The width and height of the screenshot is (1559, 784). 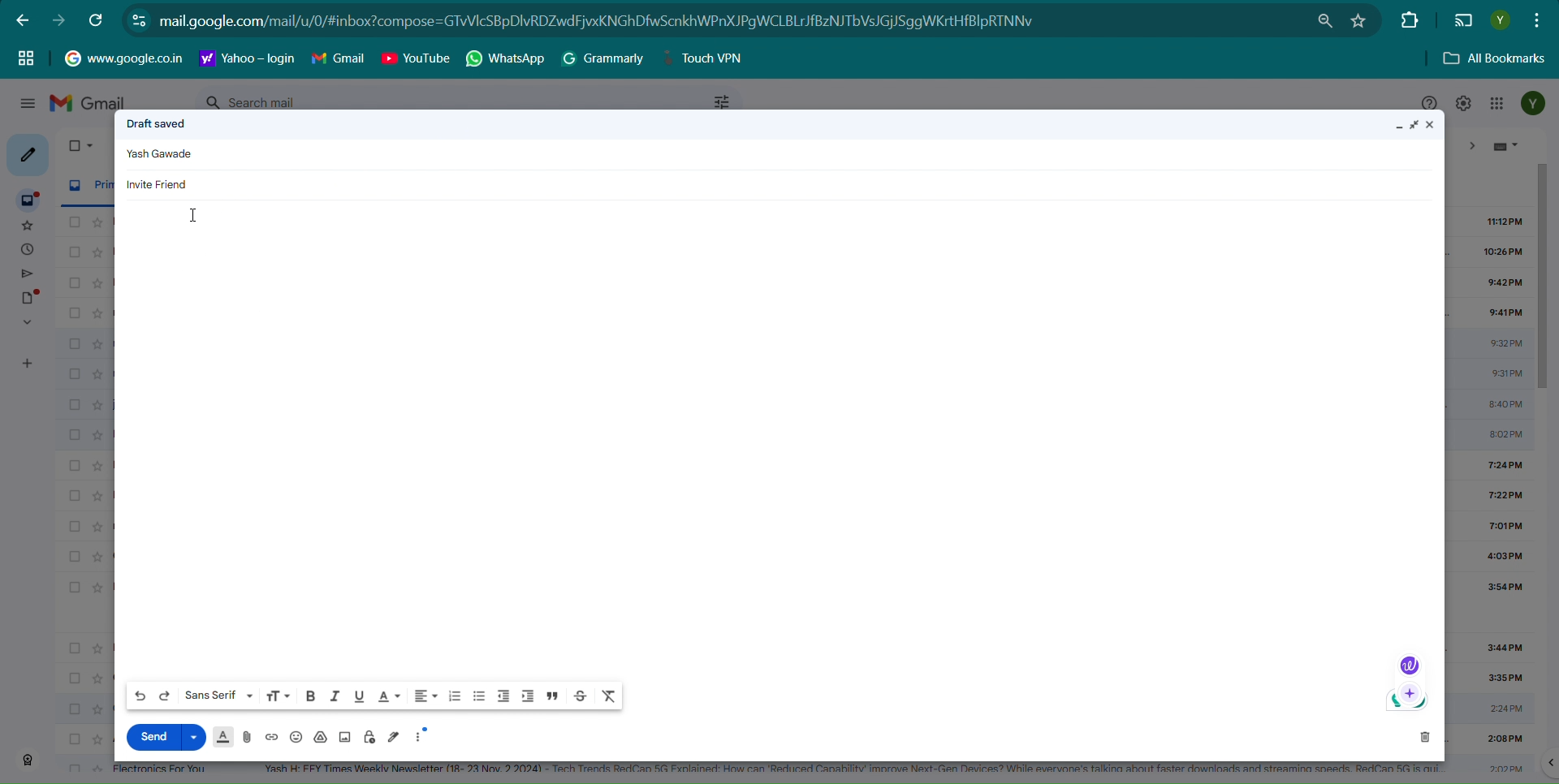 I want to click on Italic, so click(x=334, y=695).